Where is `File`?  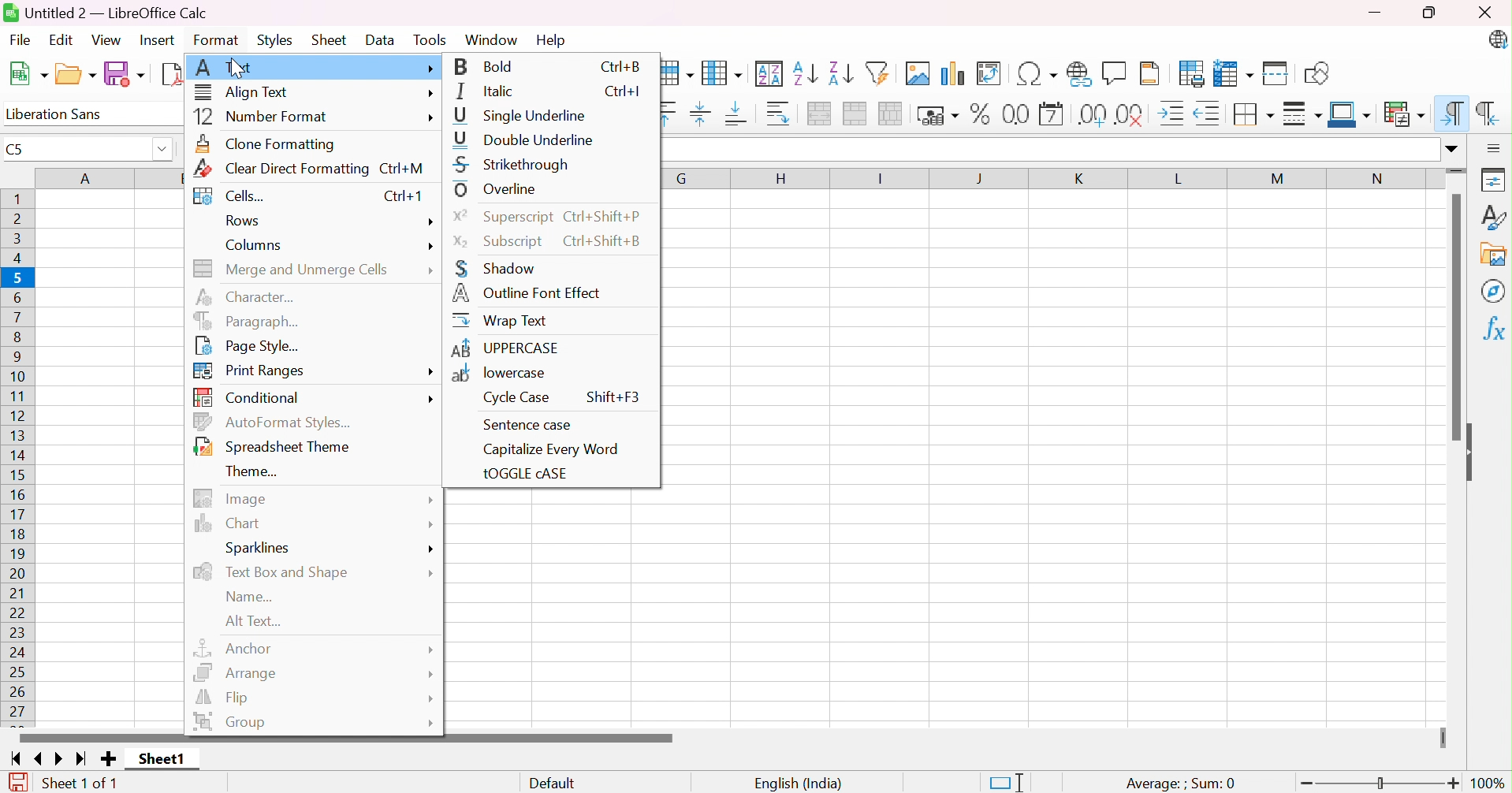
File is located at coordinates (23, 39).